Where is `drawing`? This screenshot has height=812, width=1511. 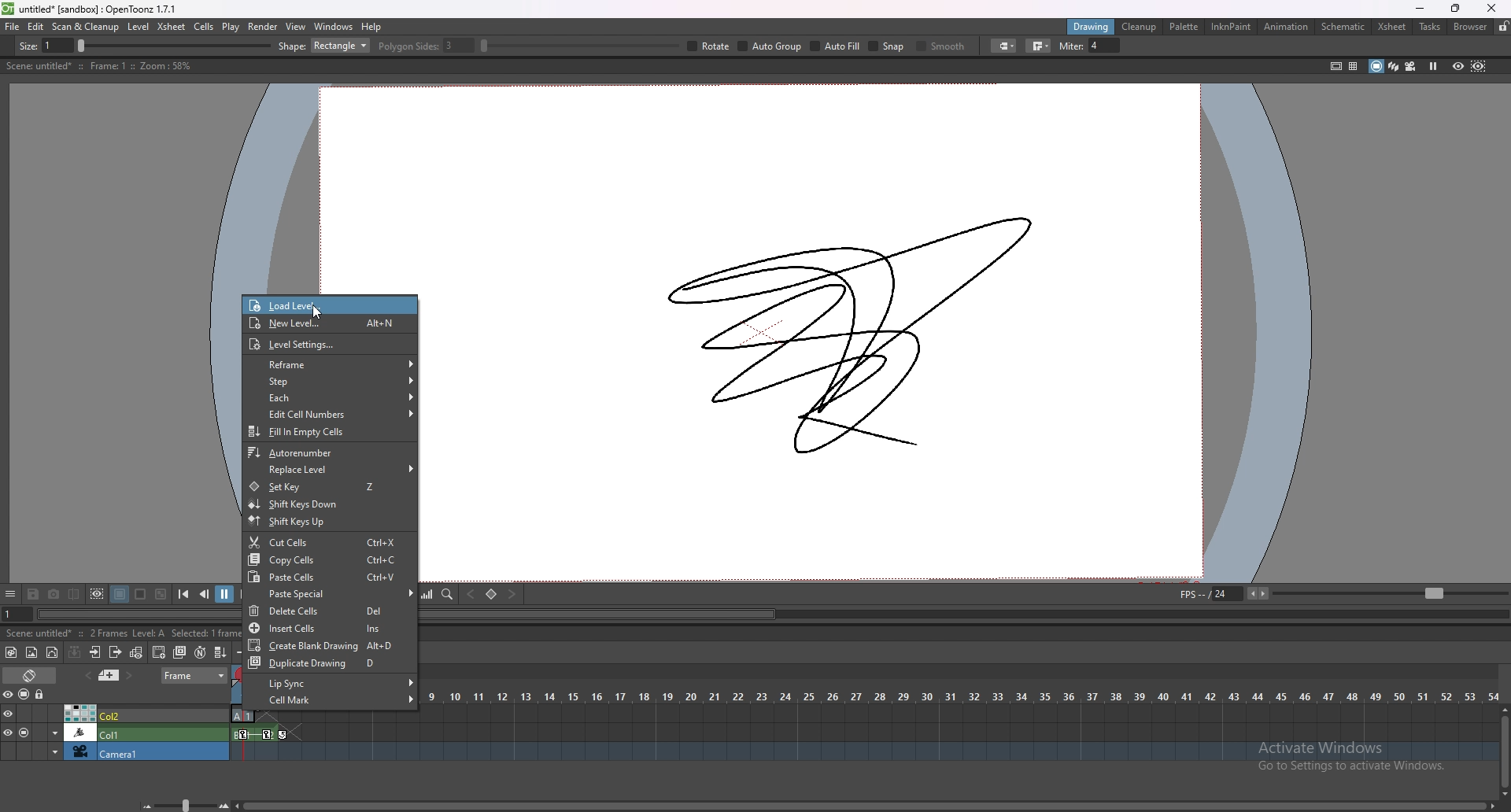
drawing is located at coordinates (1092, 26).